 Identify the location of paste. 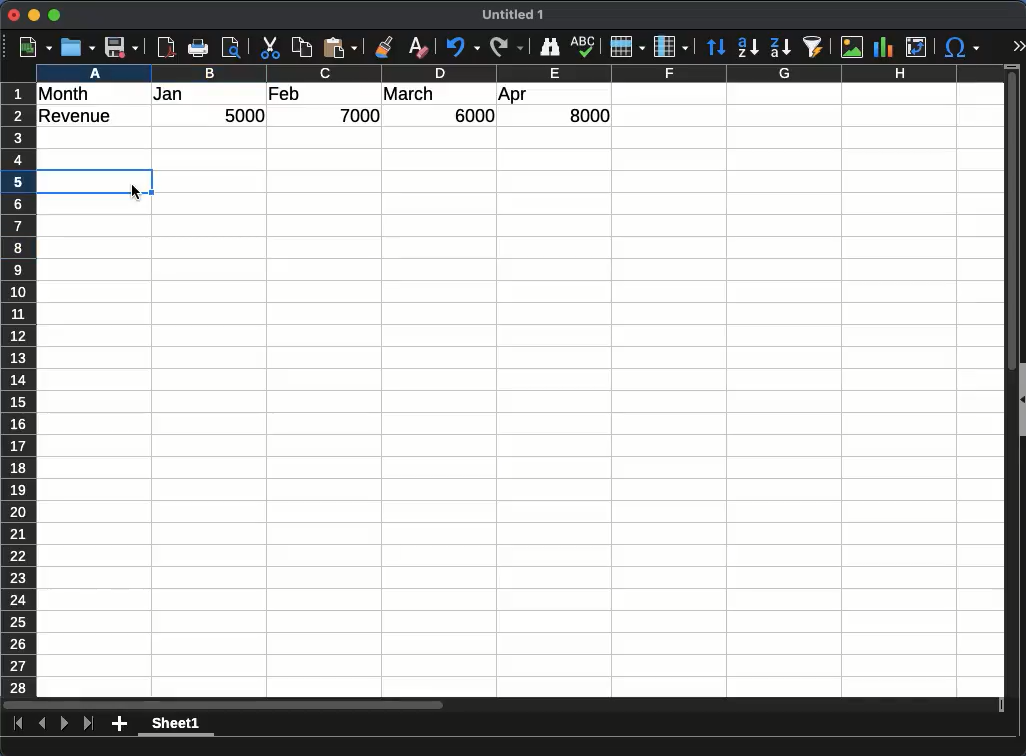
(340, 47).